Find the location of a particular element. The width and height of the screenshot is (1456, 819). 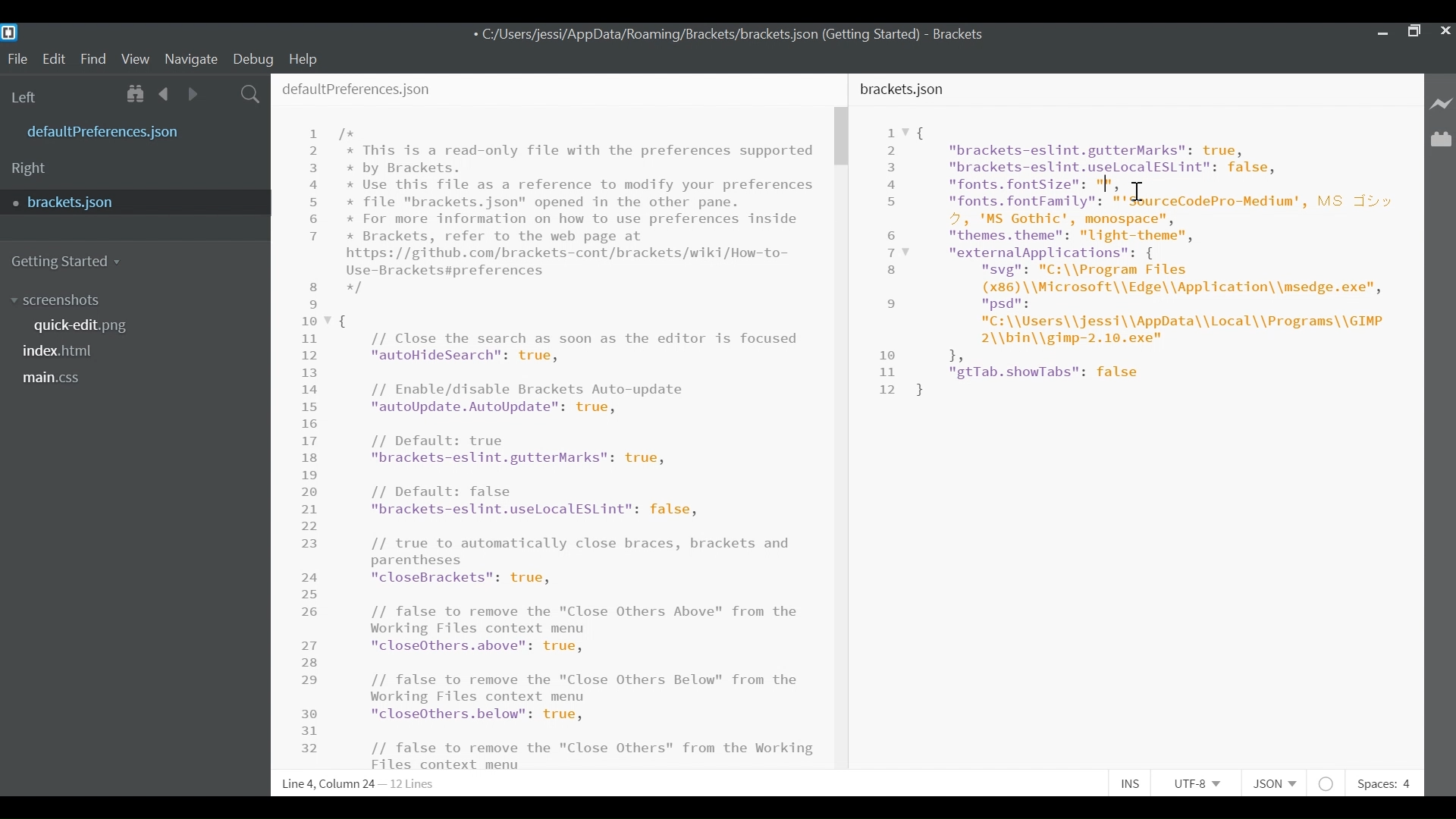

INS is located at coordinates (1131, 781).